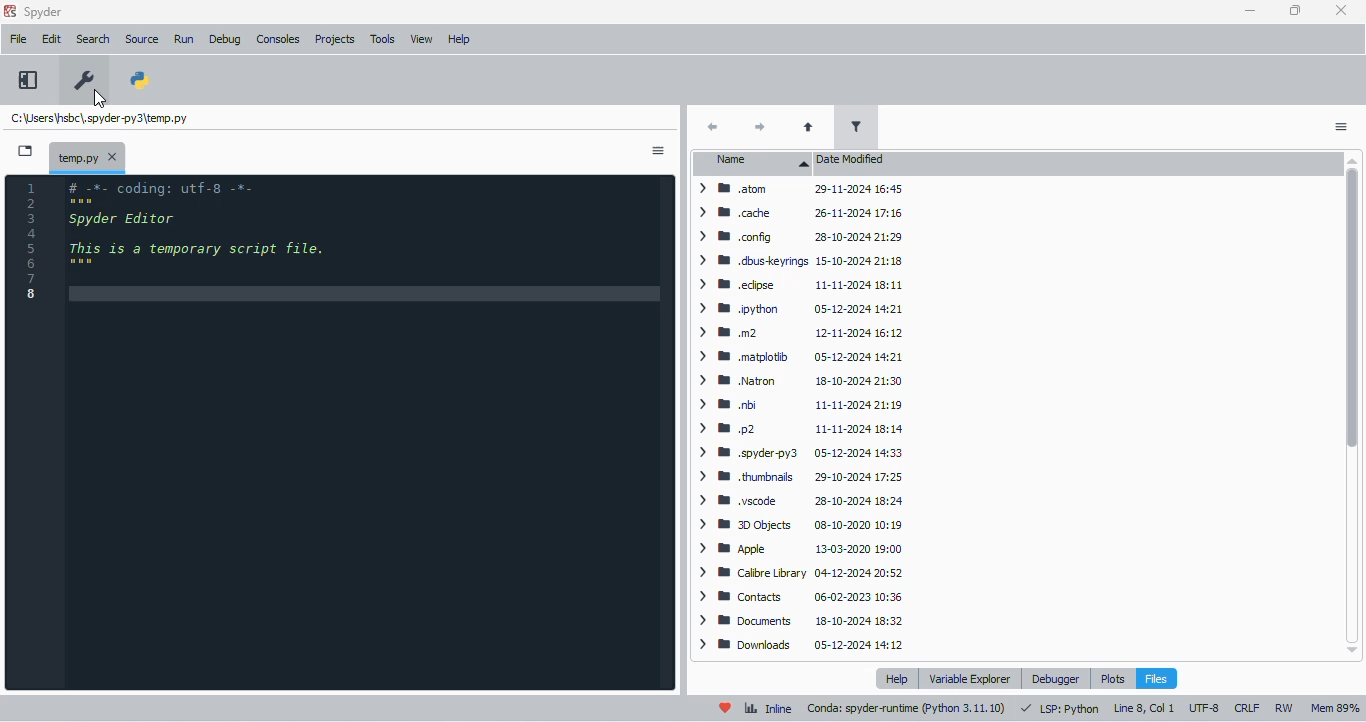 This screenshot has height=722, width=1366. What do you see at coordinates (796, 332) in the screenshot?
I see `> mm m2 12-11-2024 16:12` at bounding box center [796, 332].